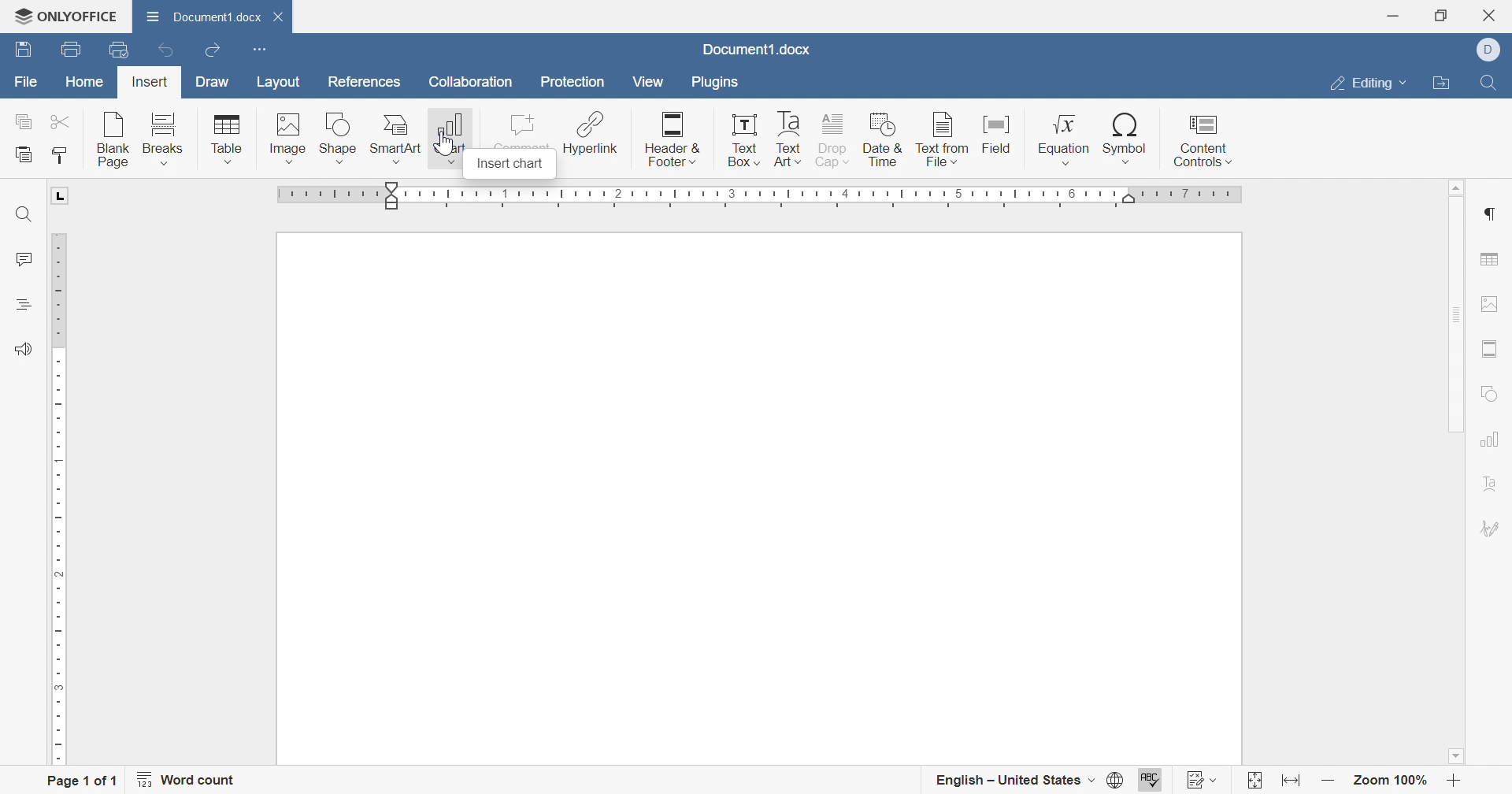  I want to click on Insert chart, so click(510, 165).